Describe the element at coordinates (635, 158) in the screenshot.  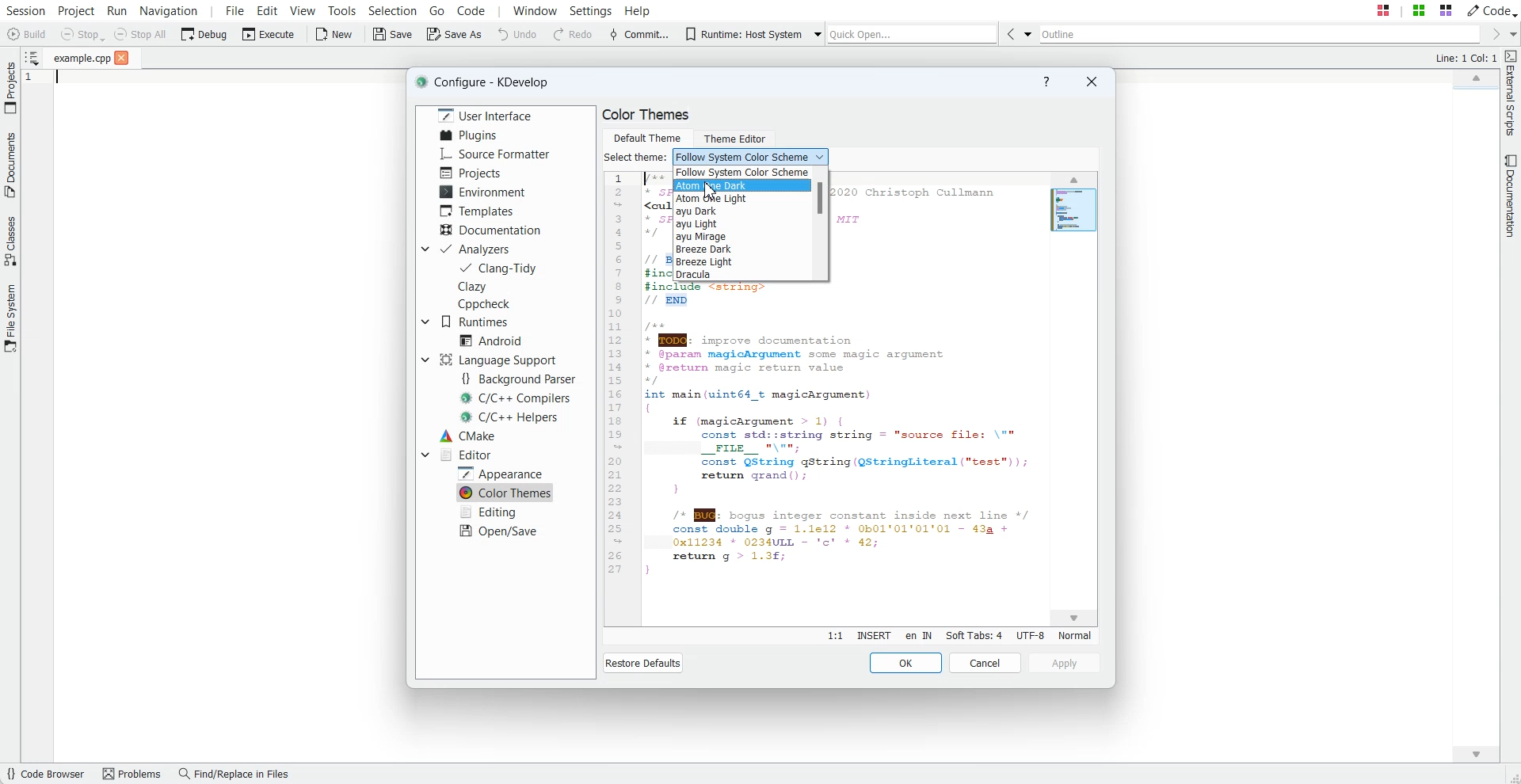
I see `Text` at that location.